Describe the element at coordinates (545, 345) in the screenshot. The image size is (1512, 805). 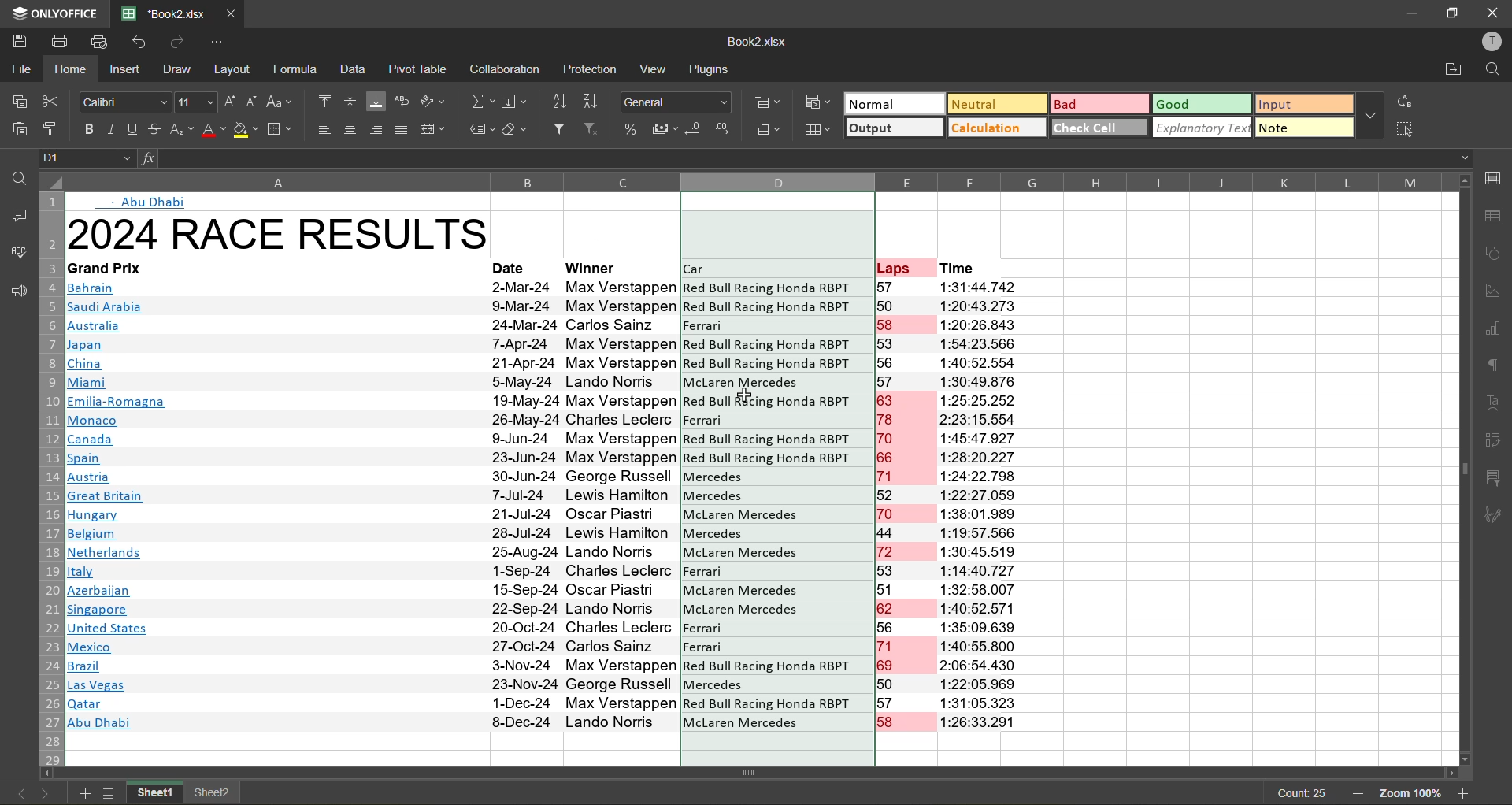
I see `Japan 7-Apr-24 Max Verstappen Red Bull Racing Honda RBPT 53 1:54:23.566` at that location.